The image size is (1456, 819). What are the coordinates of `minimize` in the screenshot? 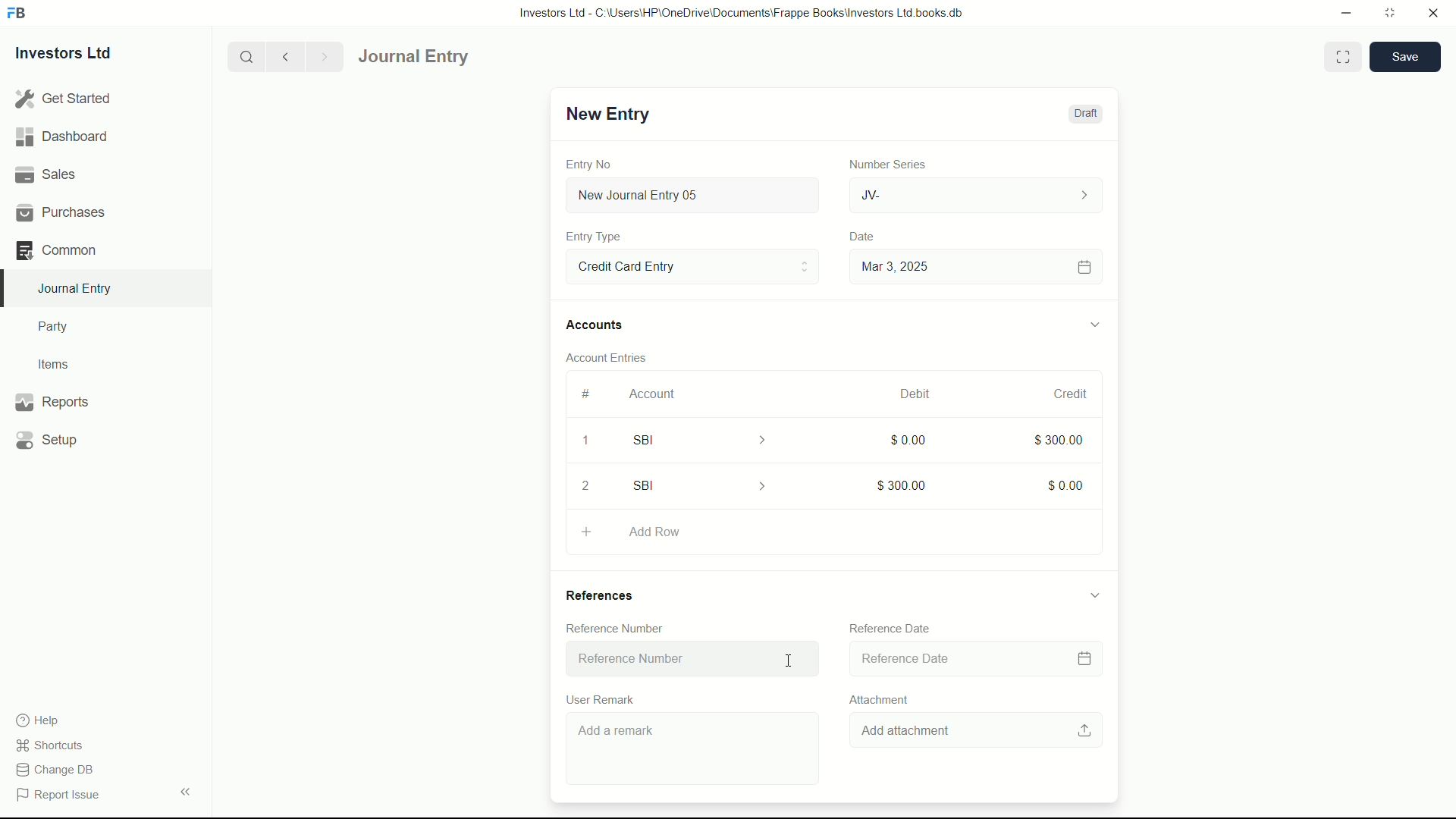 It's located at (1342, 11).